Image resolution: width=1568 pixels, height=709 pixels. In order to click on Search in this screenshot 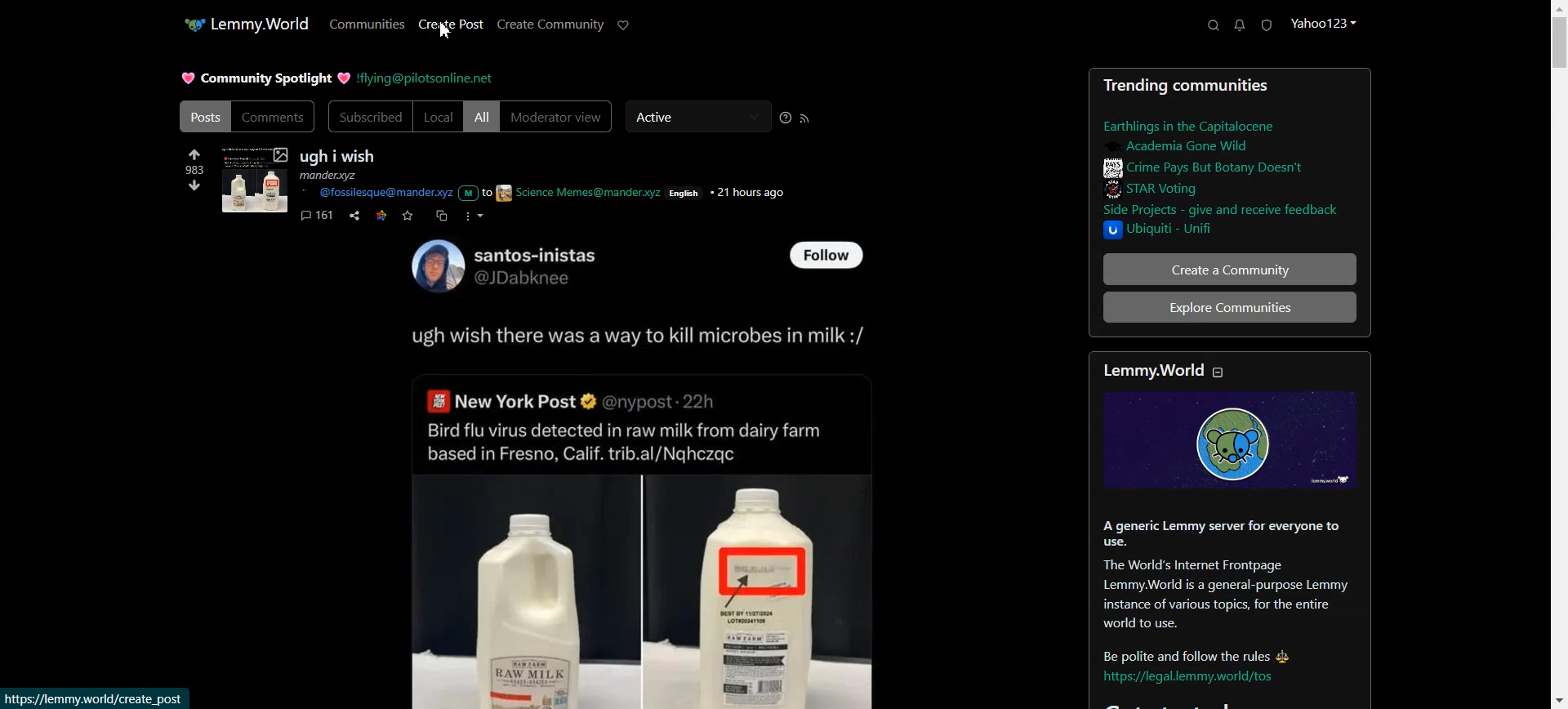, I will do `click(1214, 25)`.